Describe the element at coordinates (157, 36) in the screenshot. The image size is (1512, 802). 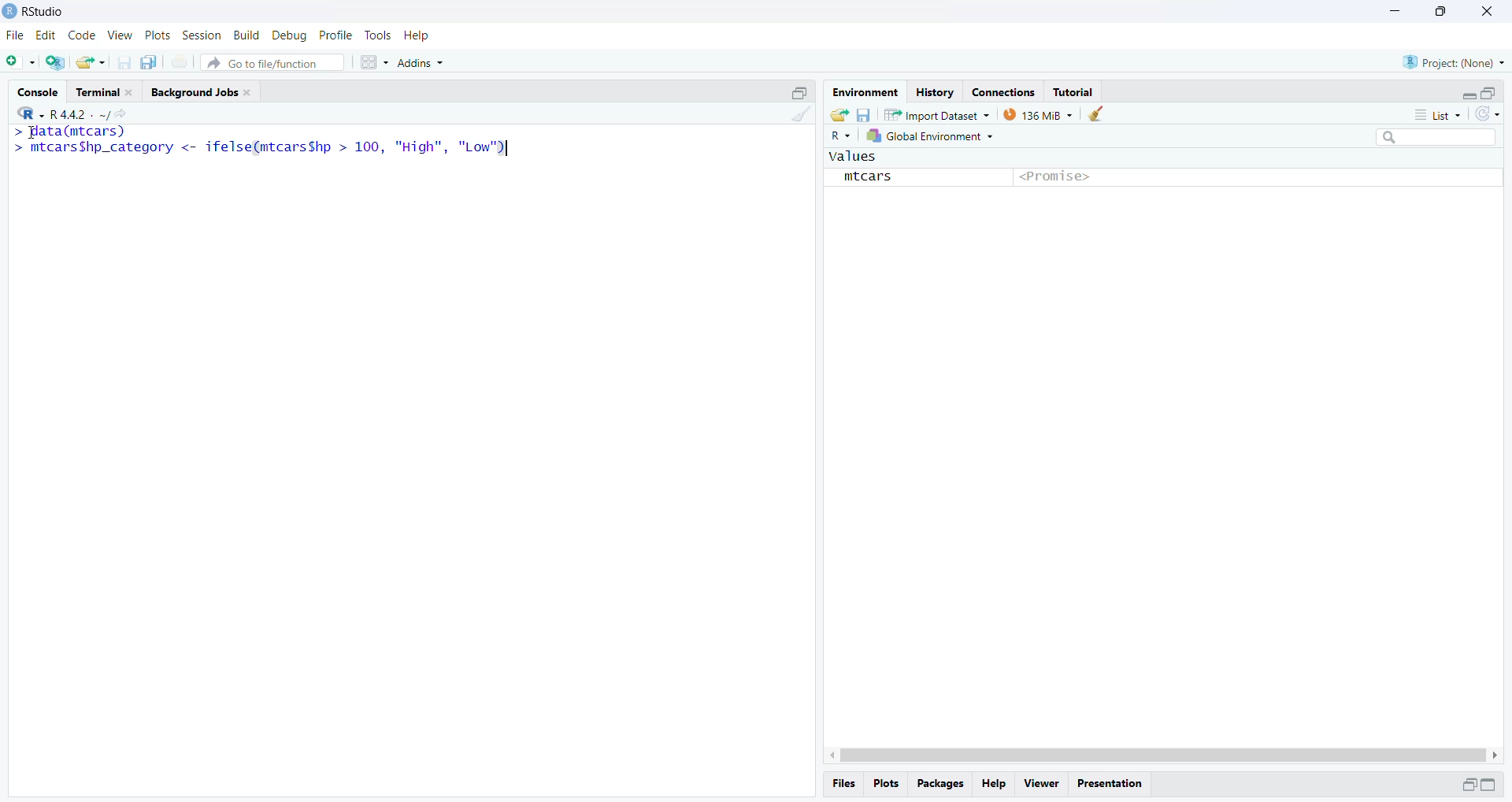
I see `Plots` at that location.